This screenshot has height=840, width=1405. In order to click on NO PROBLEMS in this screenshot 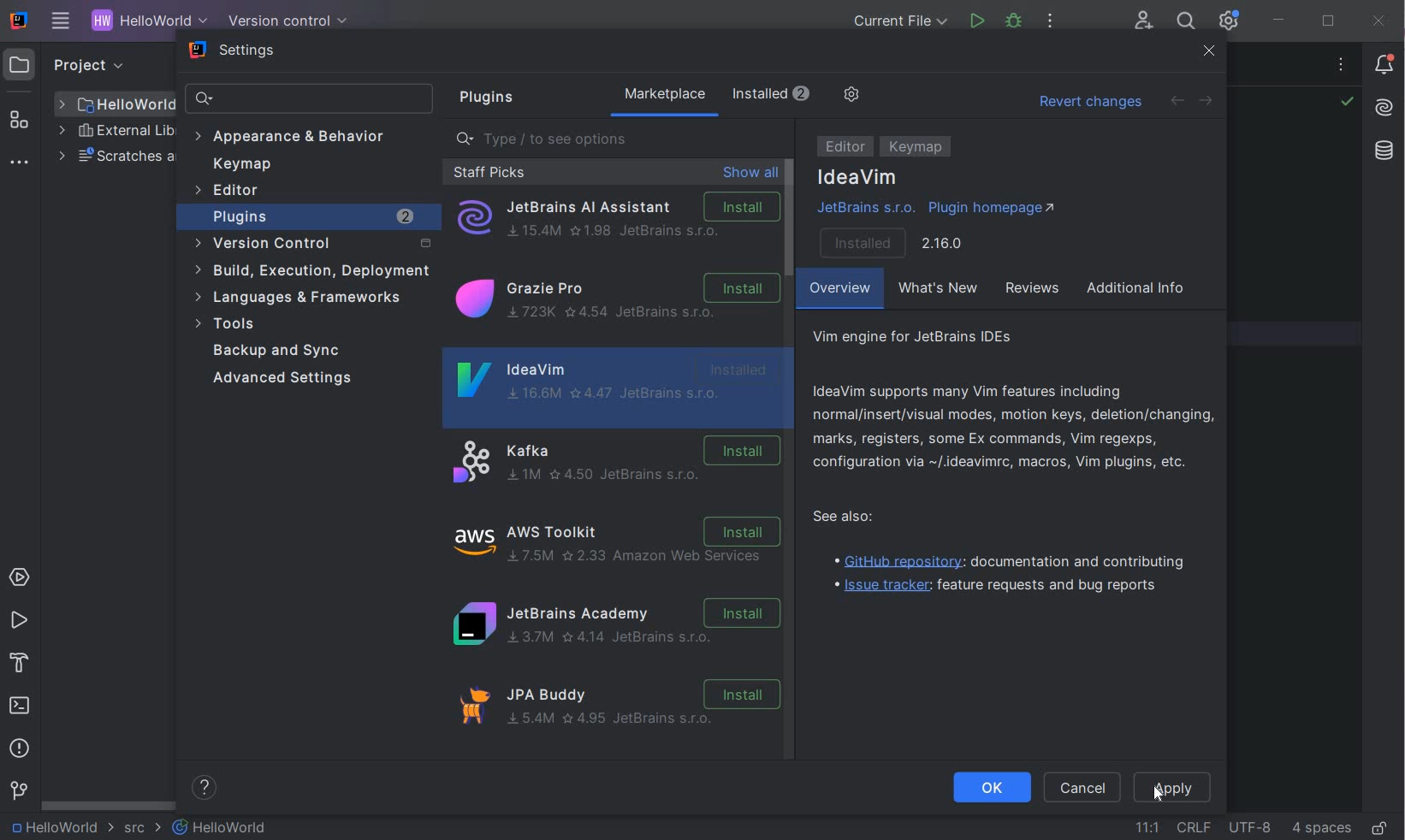, I will do `click(1346, 104)`.